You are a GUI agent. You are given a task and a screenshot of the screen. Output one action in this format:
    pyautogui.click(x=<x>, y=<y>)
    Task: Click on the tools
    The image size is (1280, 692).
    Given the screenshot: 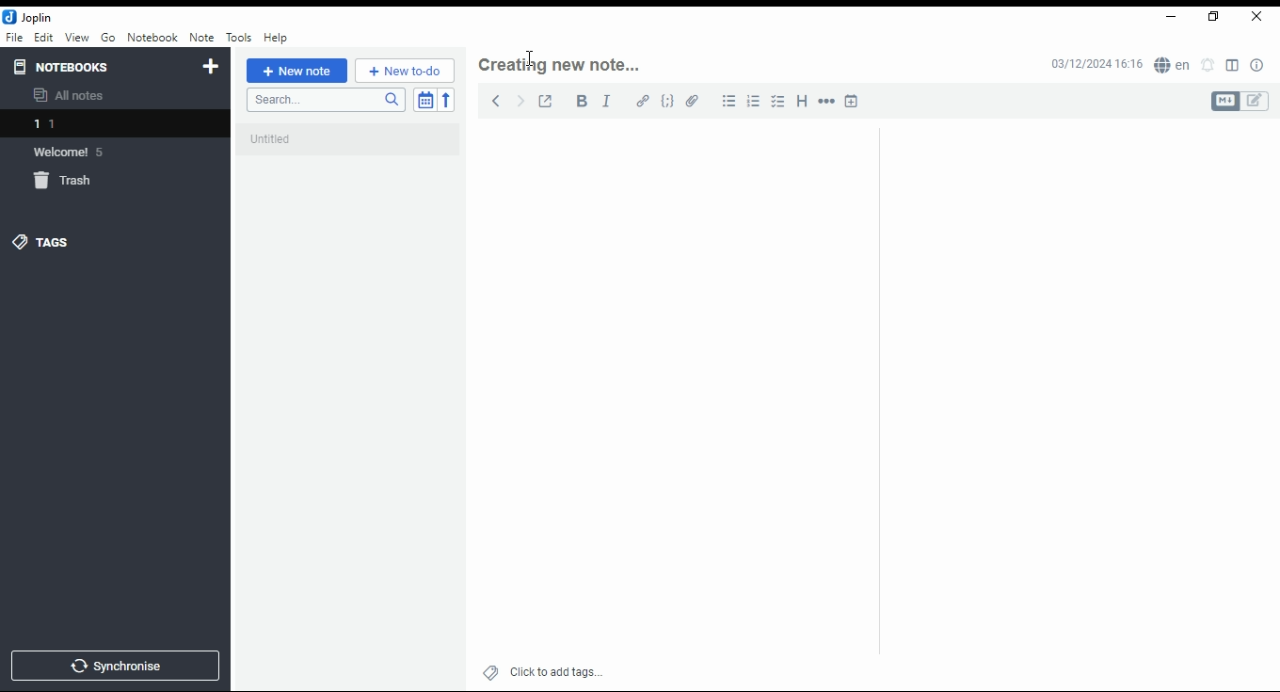 What is the action you would take?
    pyautogui.click(x=240, y=38)
    